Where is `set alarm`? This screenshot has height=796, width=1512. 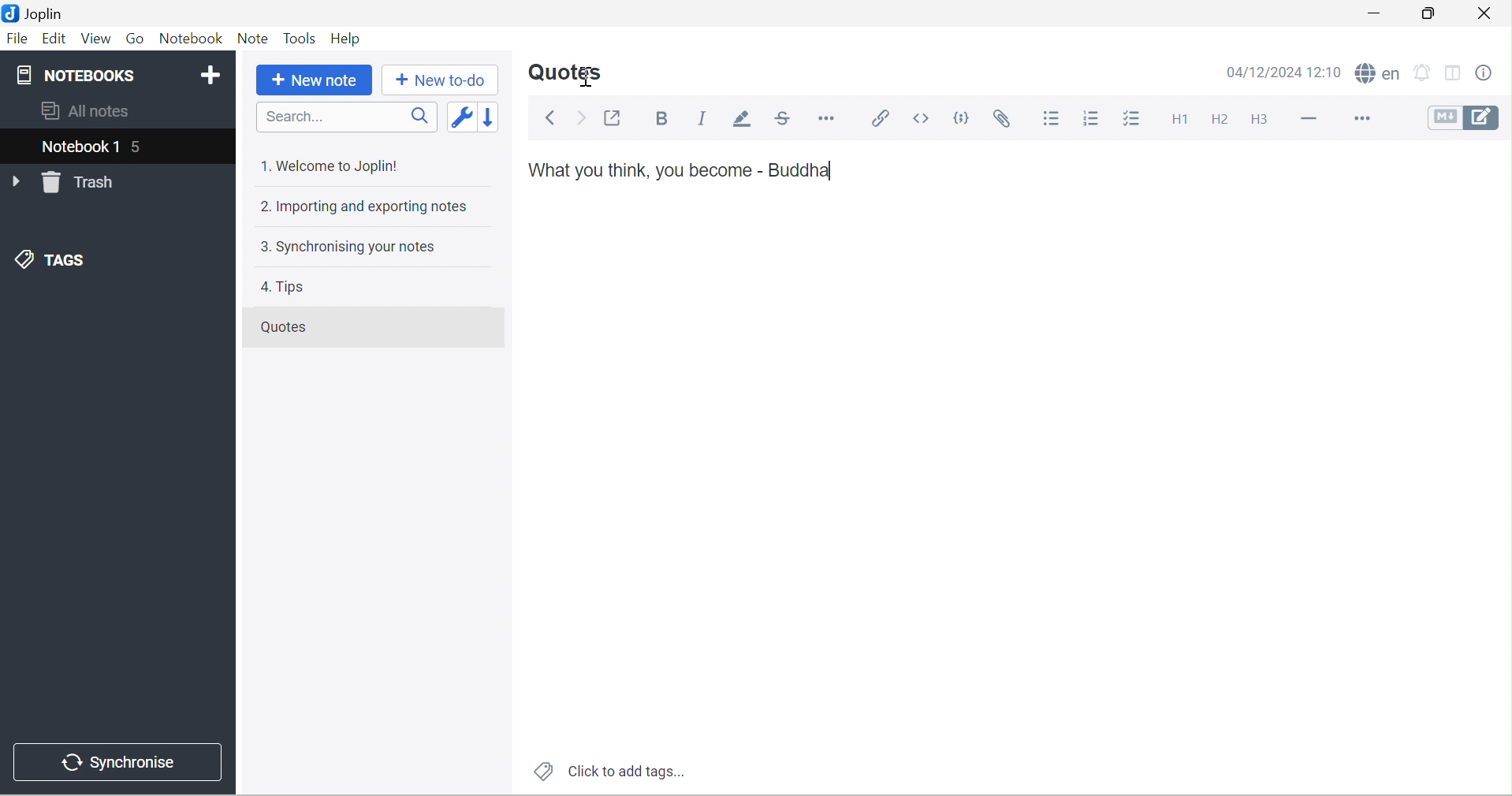
set alarm is located at coordinates (1423, 71).